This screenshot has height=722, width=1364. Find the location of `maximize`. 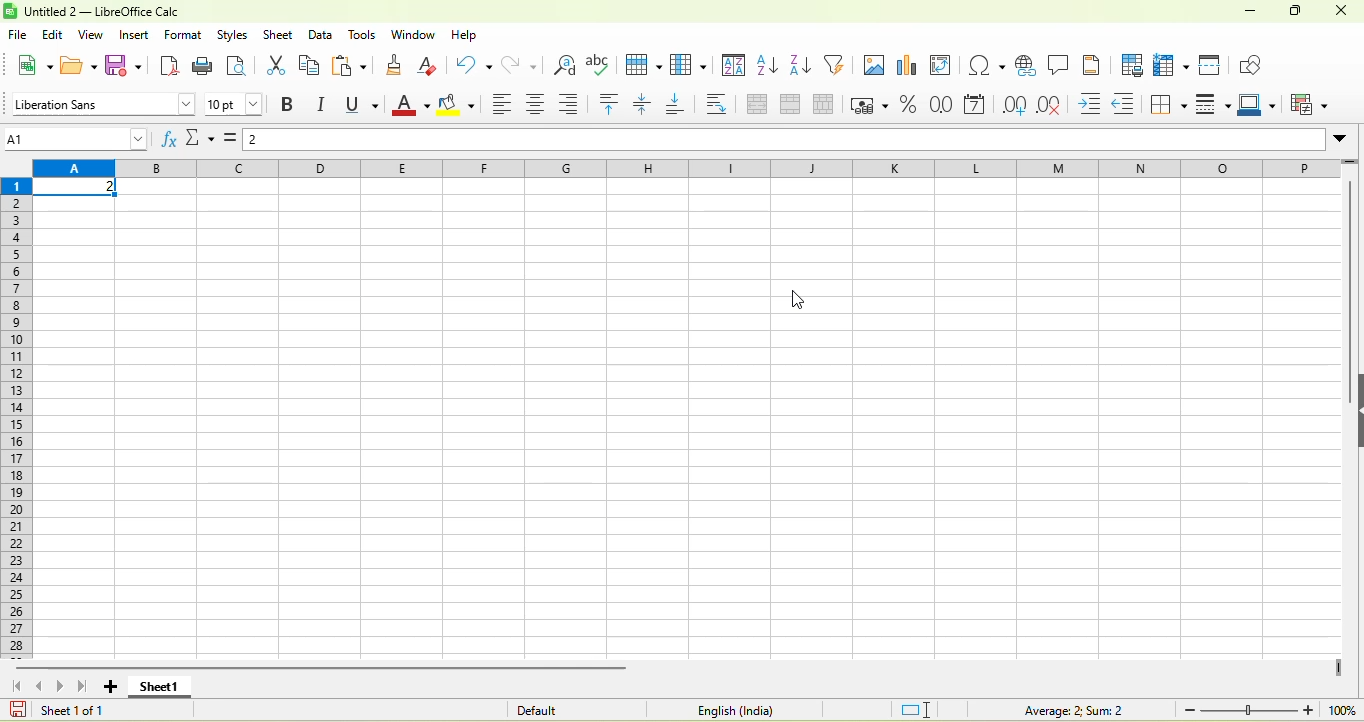

maximize is located at coordinates (1298, 12).